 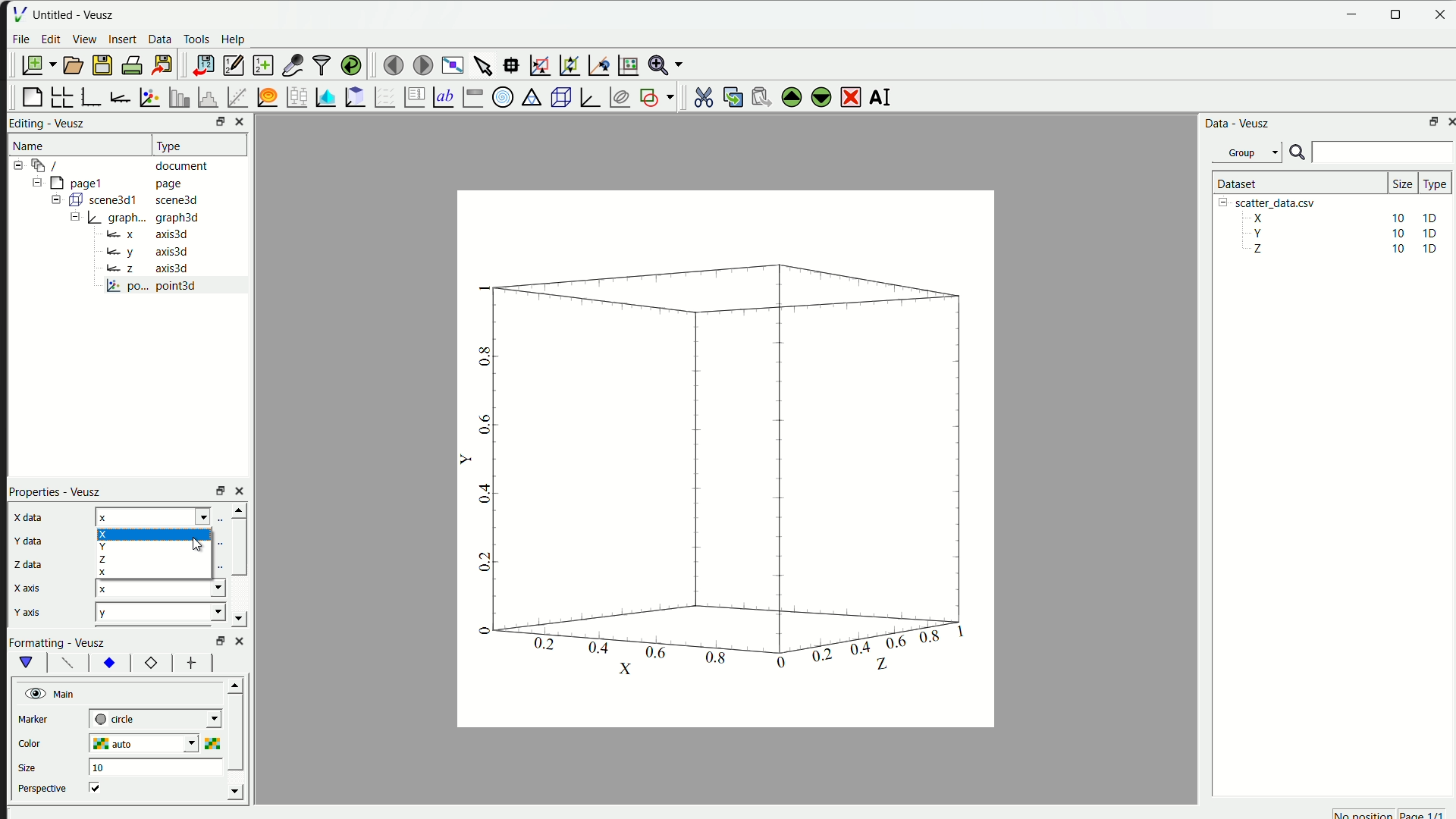 What do you see at coordinates (110, 664) in the screenshot?
I see `xy` at bounding box center [110, 664].